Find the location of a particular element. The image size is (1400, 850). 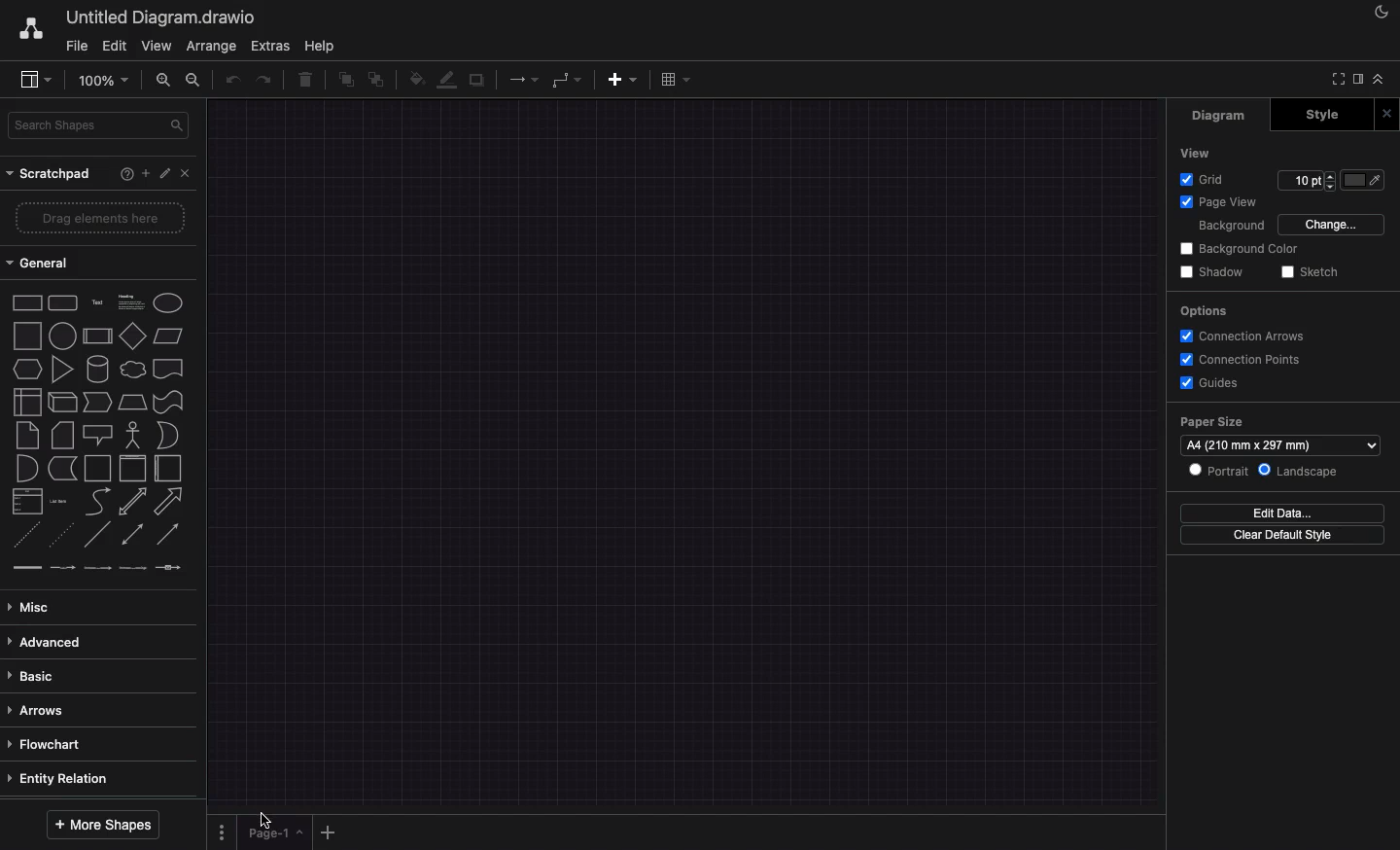

size is located at coordinates (1279, 445).